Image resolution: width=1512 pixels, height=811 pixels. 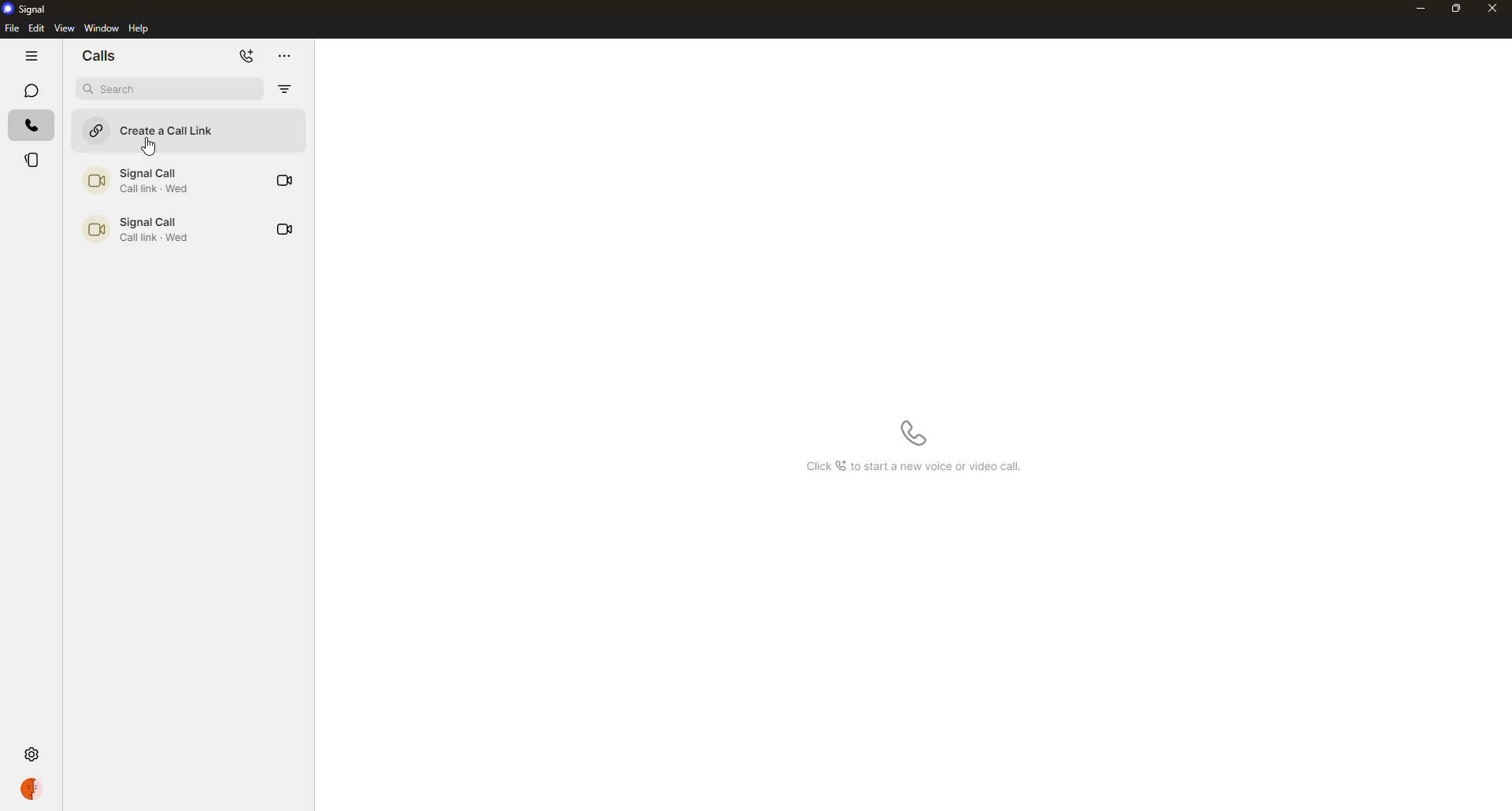 I want to click on profile, so click(x=31, y=791).